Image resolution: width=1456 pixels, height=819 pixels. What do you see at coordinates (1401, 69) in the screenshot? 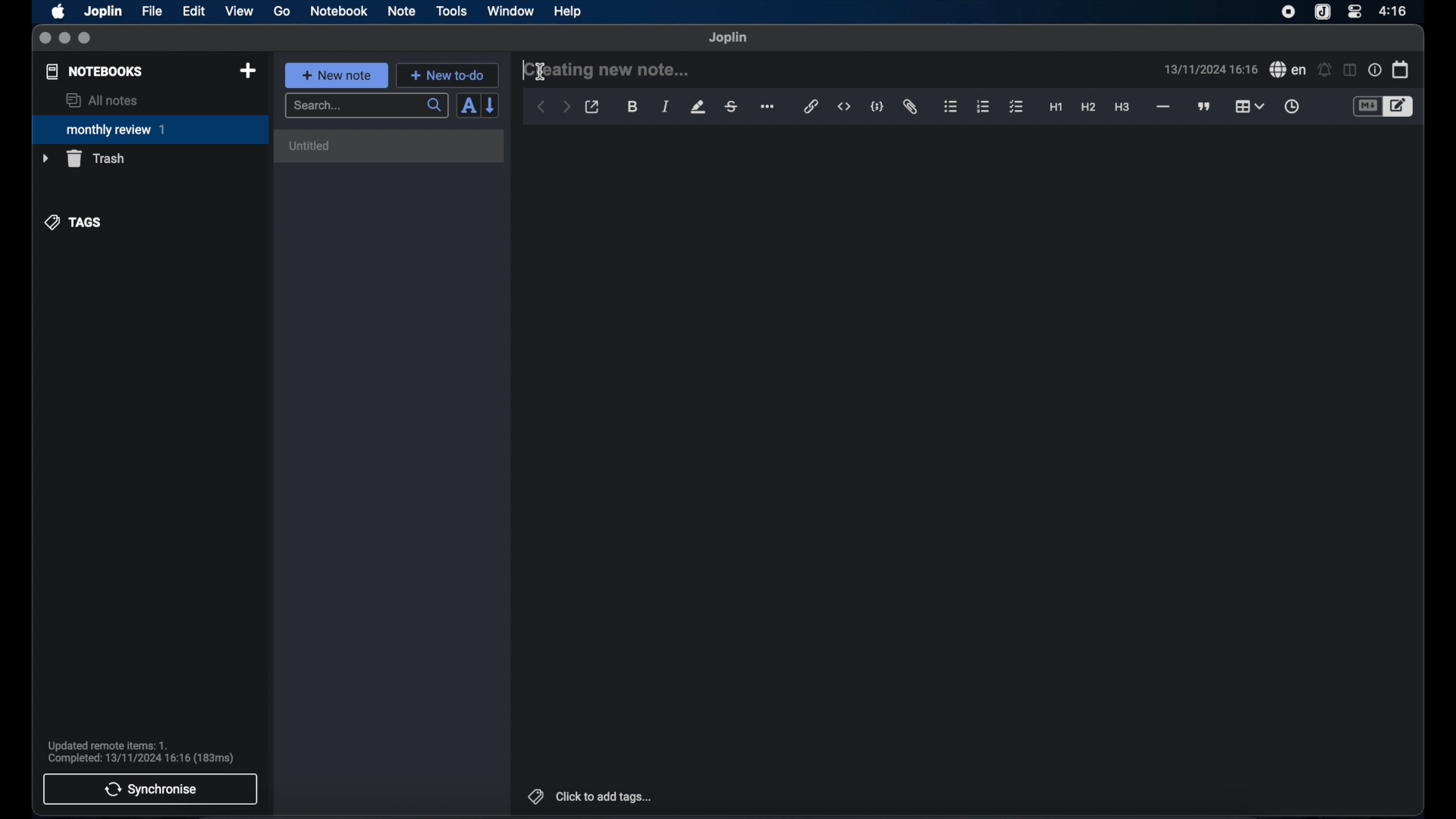
I see `calendar` at bounding box center [1401, 69].